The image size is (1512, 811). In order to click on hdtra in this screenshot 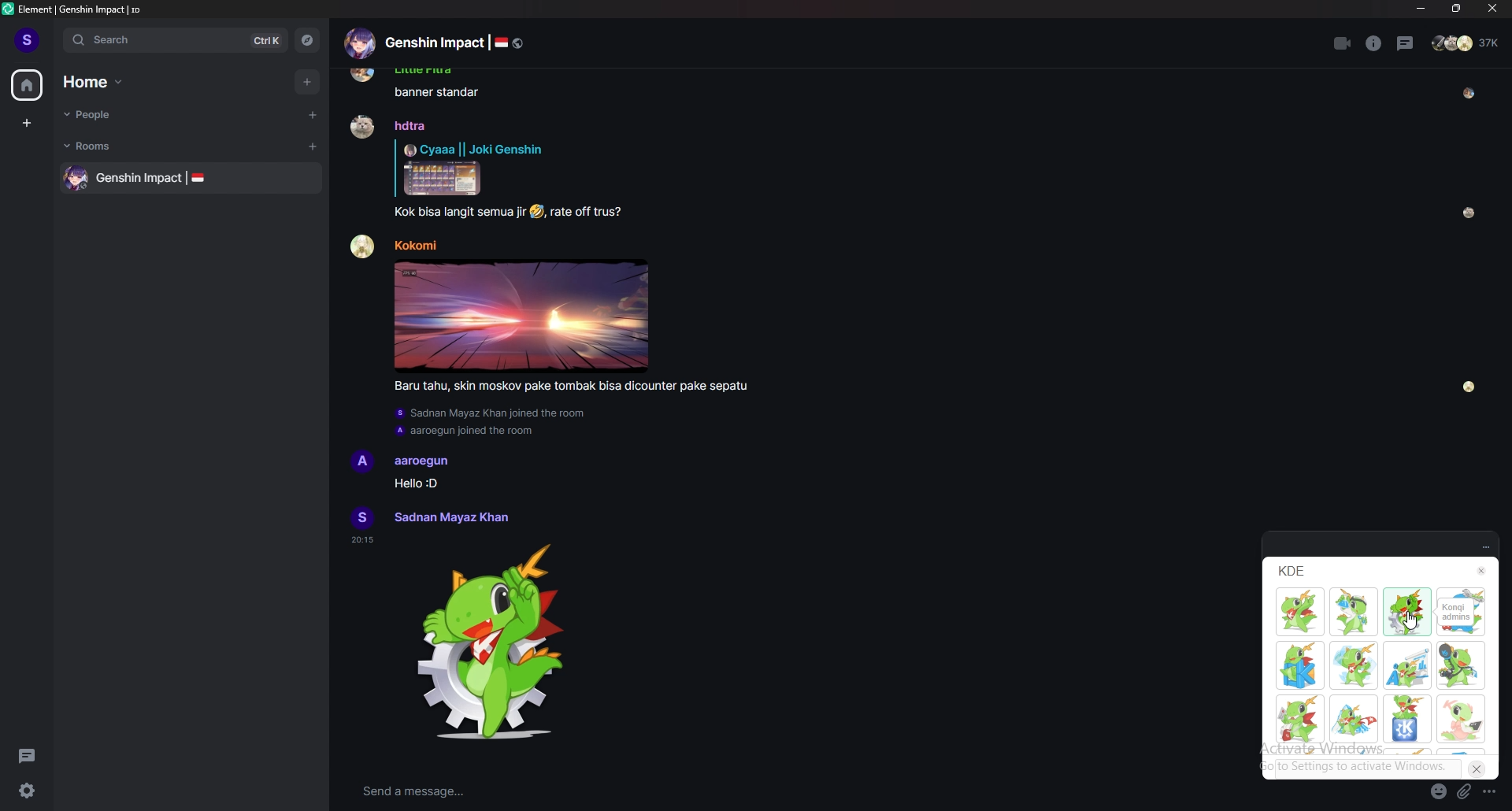, I will do `click(410, 125)`.